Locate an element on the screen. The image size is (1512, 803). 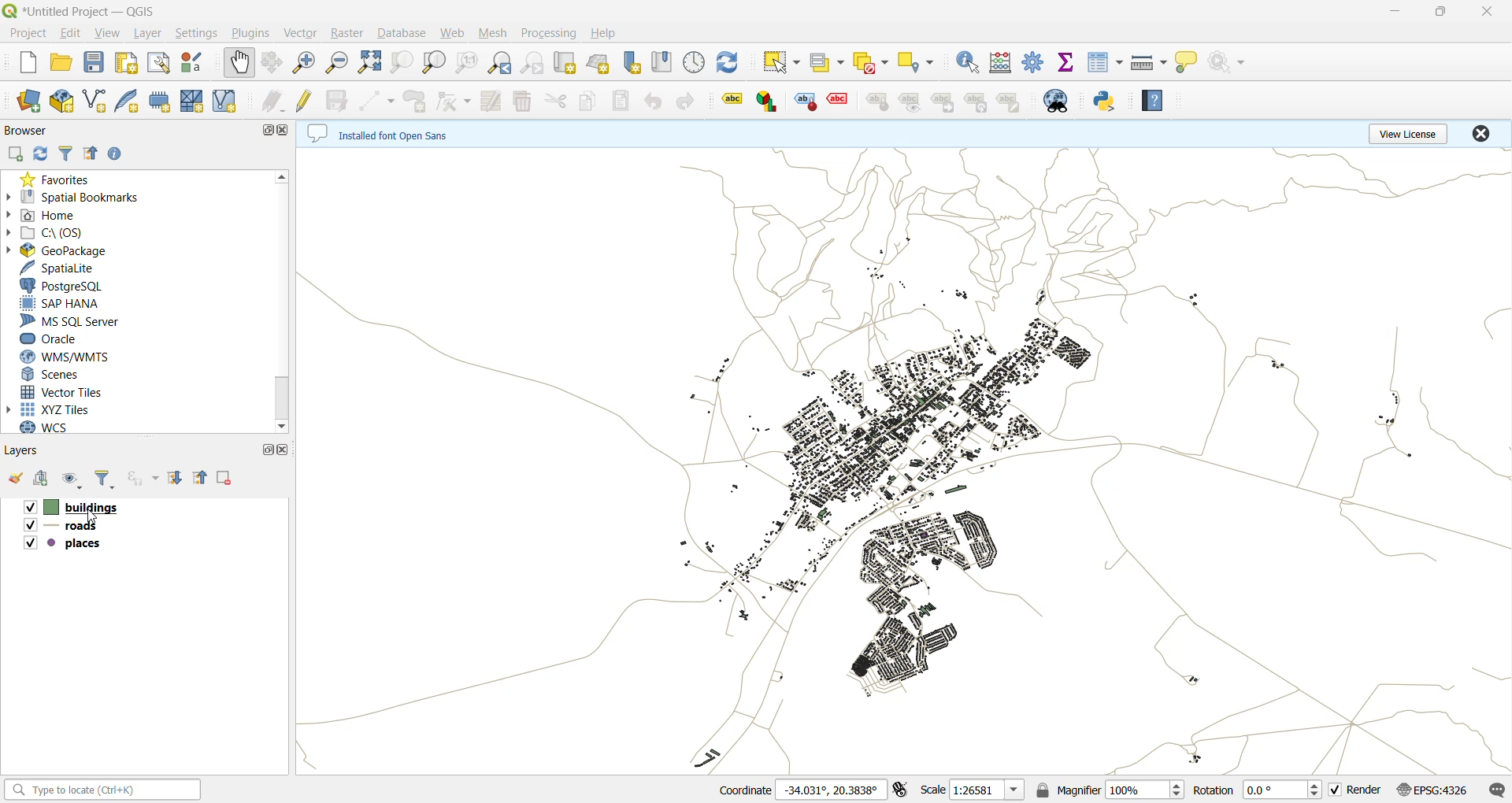
favorites is located at coordinates (55, 179).